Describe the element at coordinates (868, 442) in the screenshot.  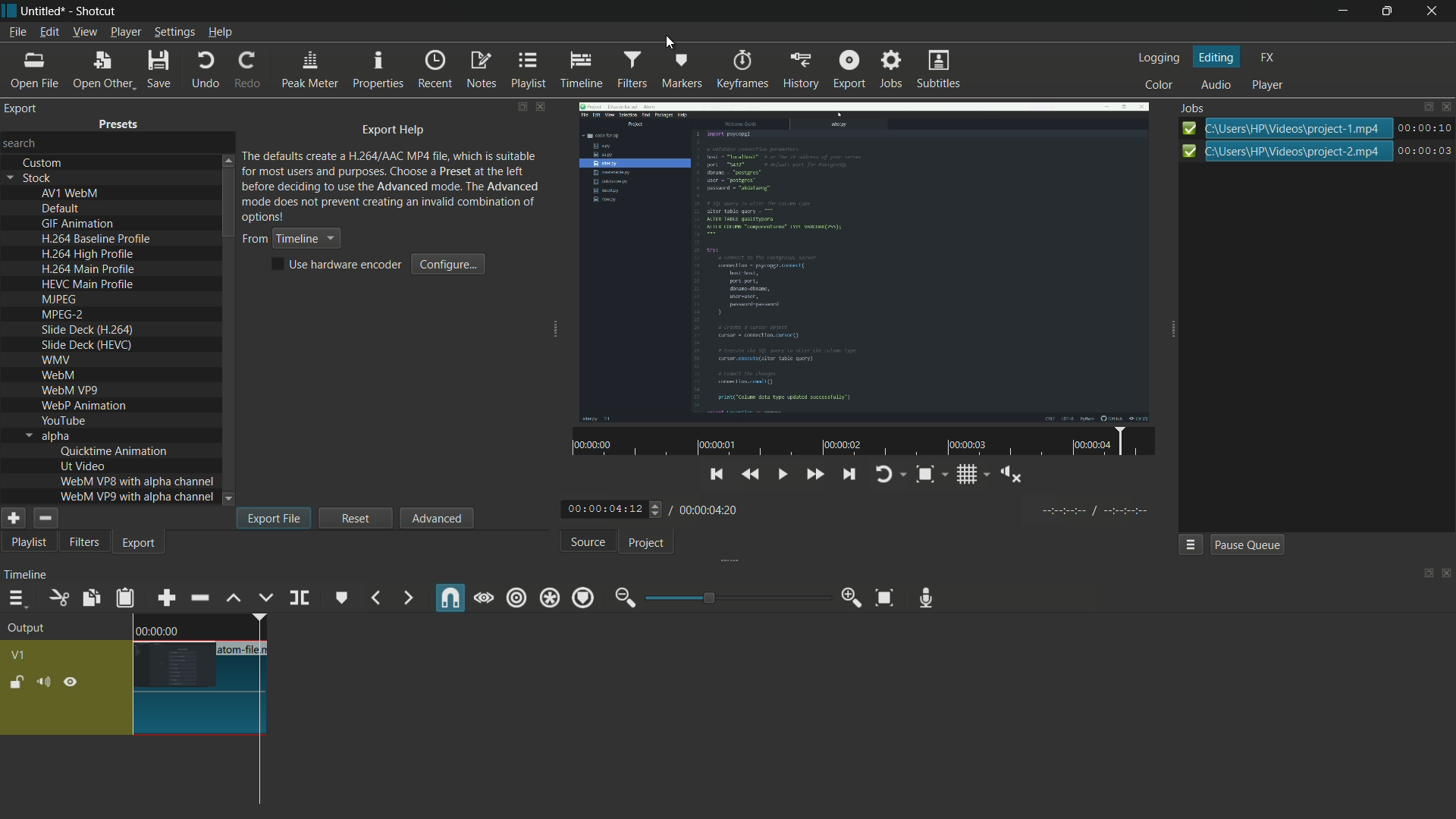
I see `time` at that location.